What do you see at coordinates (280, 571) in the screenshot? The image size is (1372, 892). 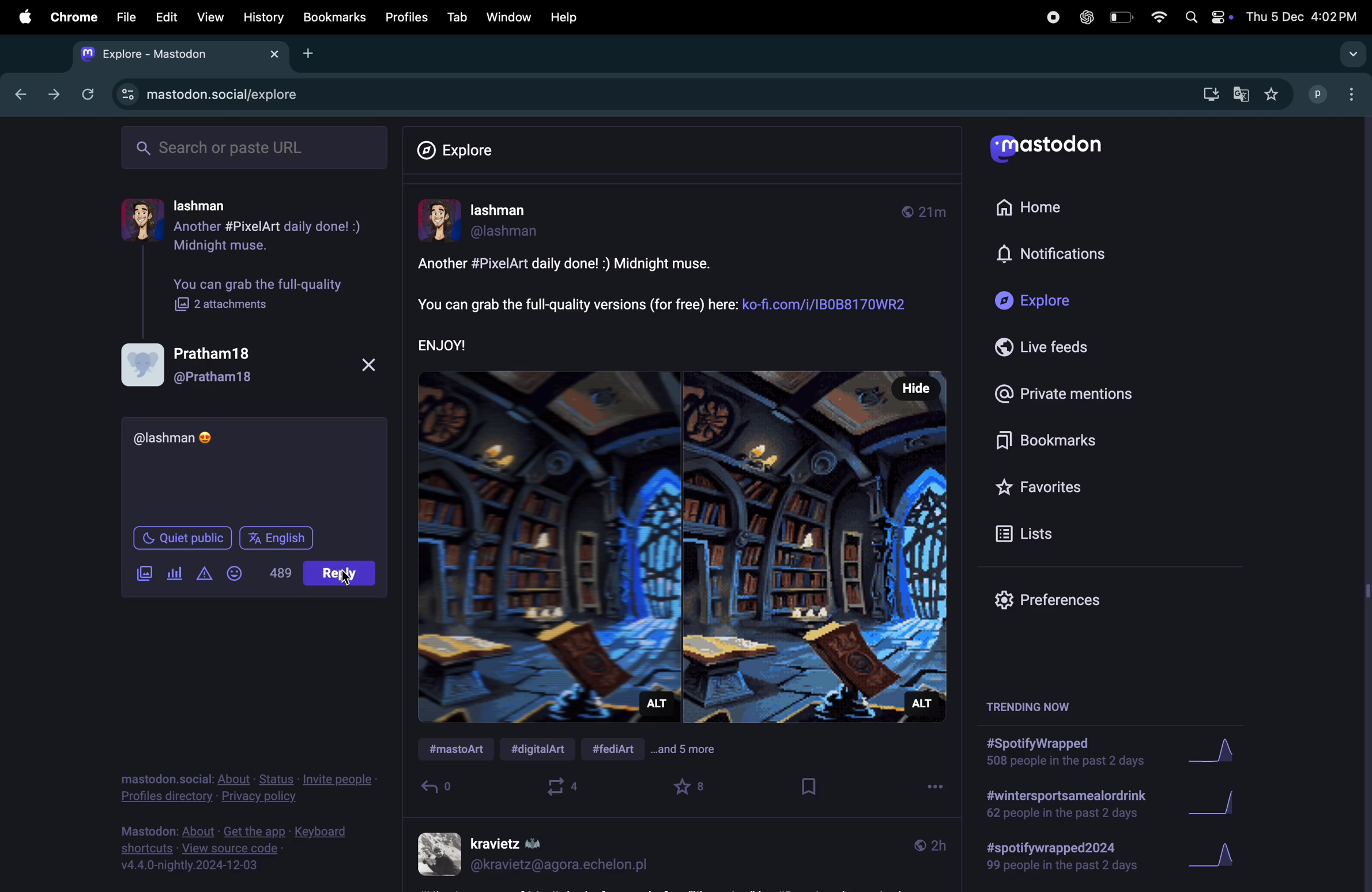 I see `500 words` at bounding box center [280, 571].